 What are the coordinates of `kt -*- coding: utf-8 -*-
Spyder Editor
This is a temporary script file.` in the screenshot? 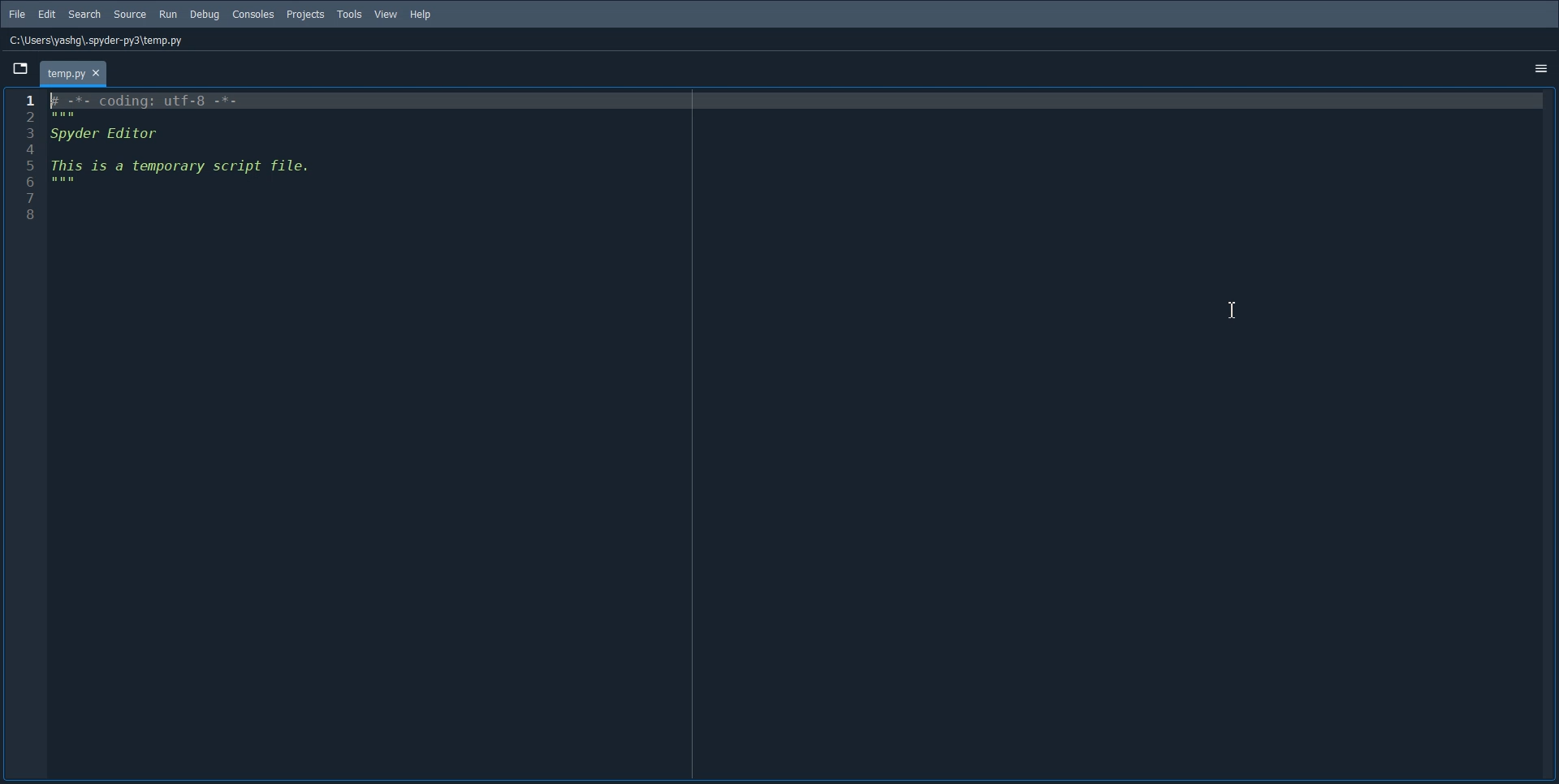 It's located at (189, 157).